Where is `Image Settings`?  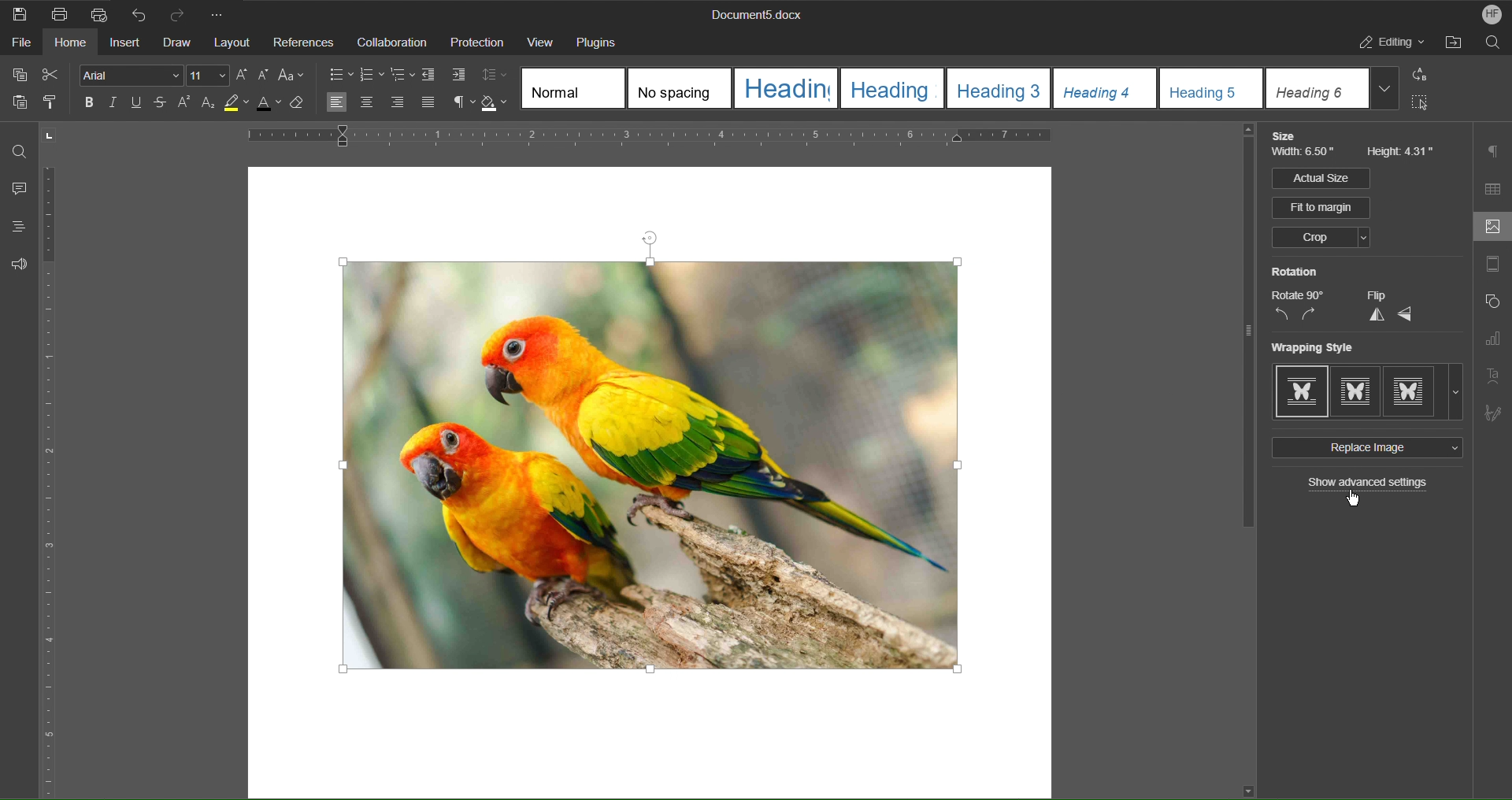 Image Settings is located at coordinates (1489, 228).